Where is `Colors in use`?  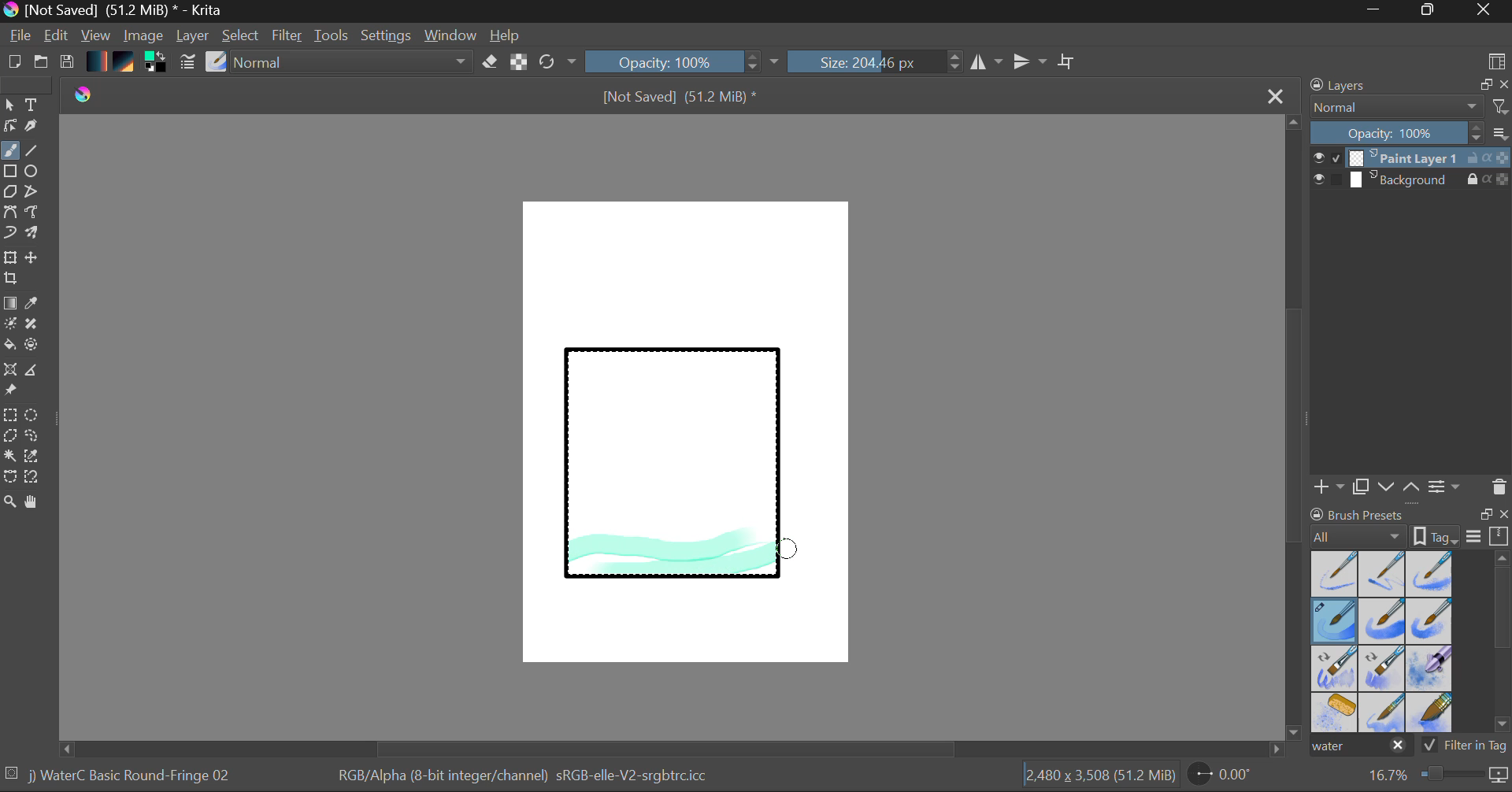 Colors in use is located at coordinates (157, 63).